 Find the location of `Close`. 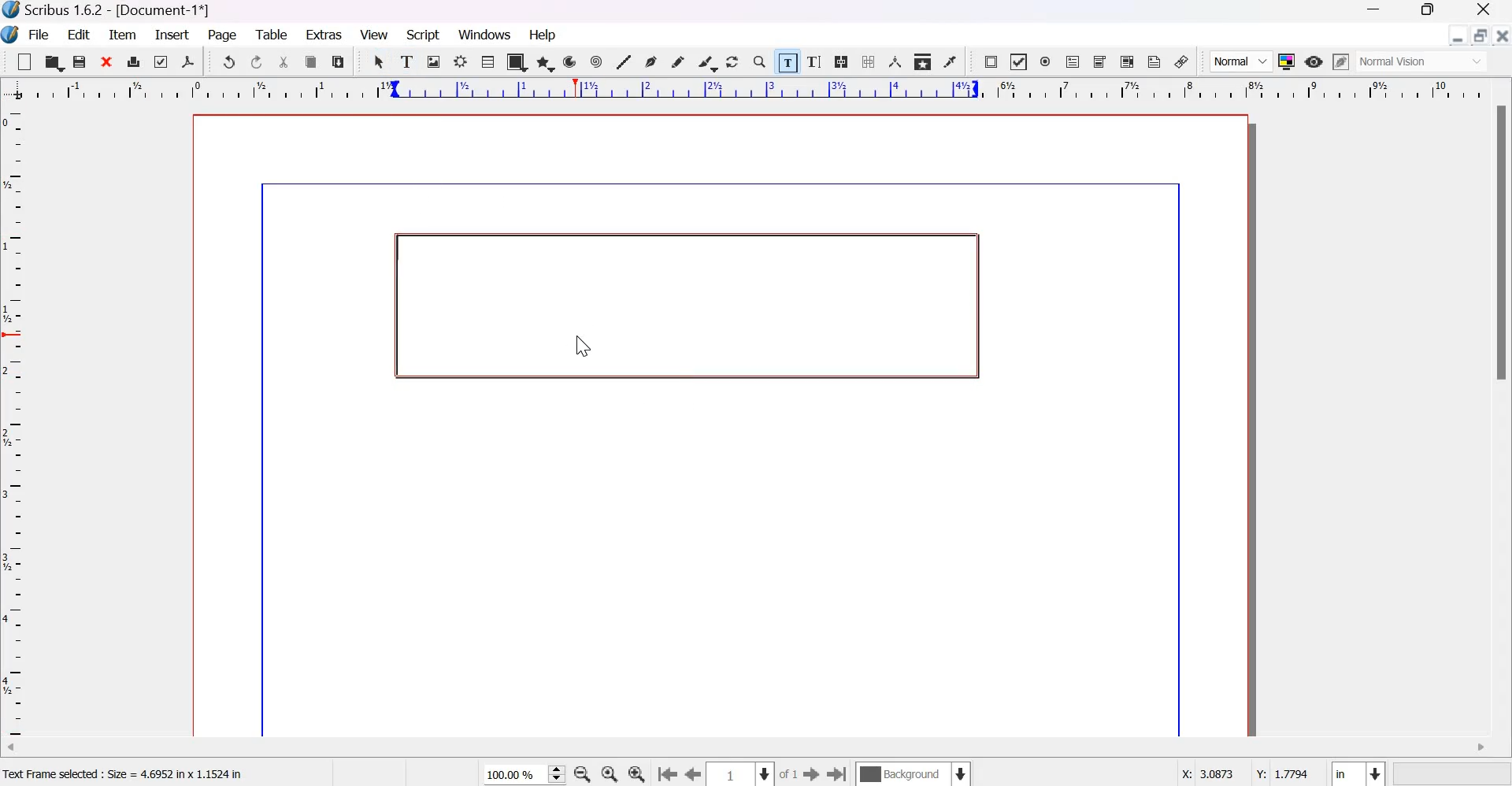

Close is located at coordinates (1503, 40).